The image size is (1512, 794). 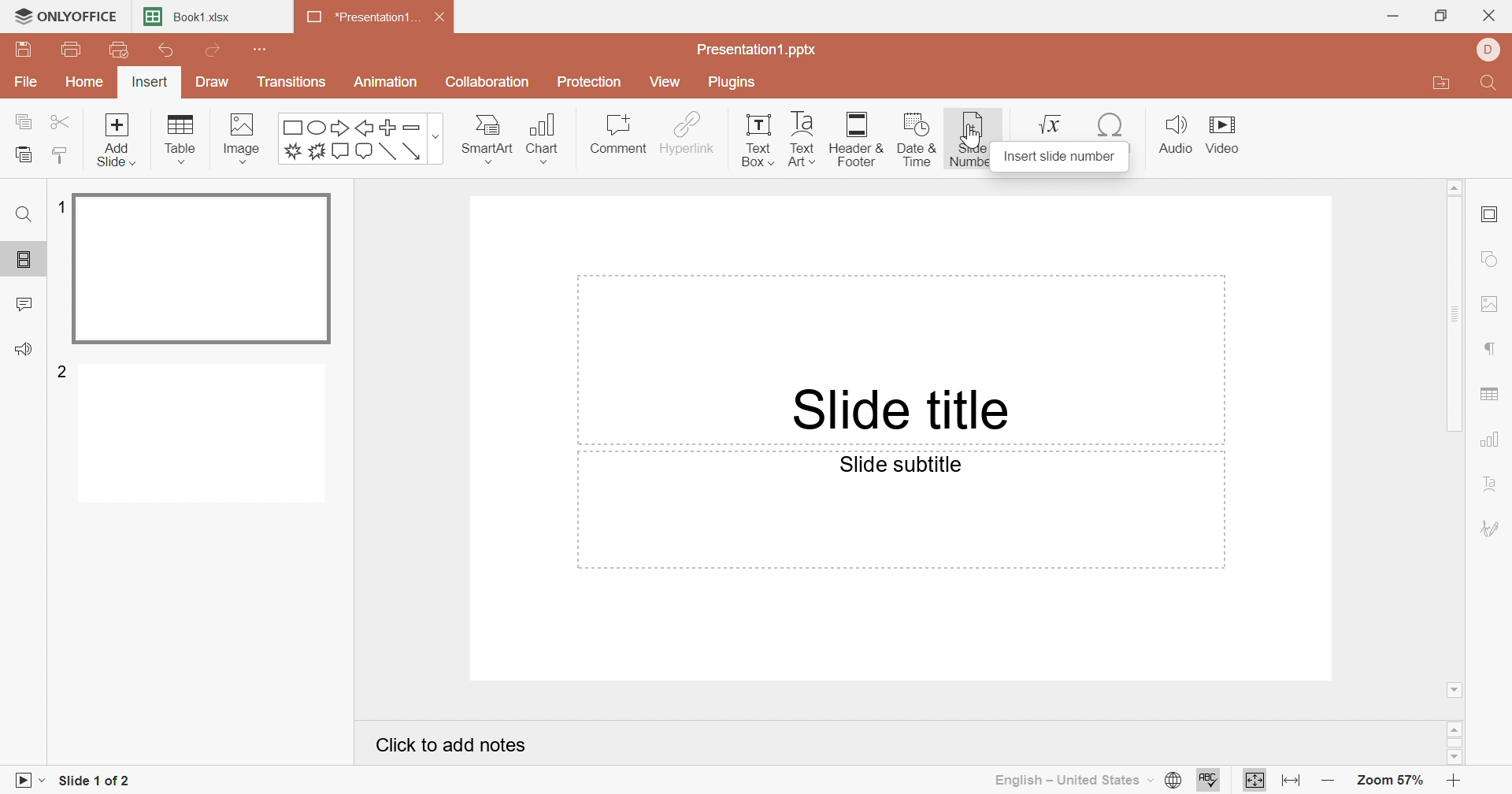 What do you see at coordinates (27, 351) in the screenshot?
I see `Feedback & Support` at bounding box center [27, 351].